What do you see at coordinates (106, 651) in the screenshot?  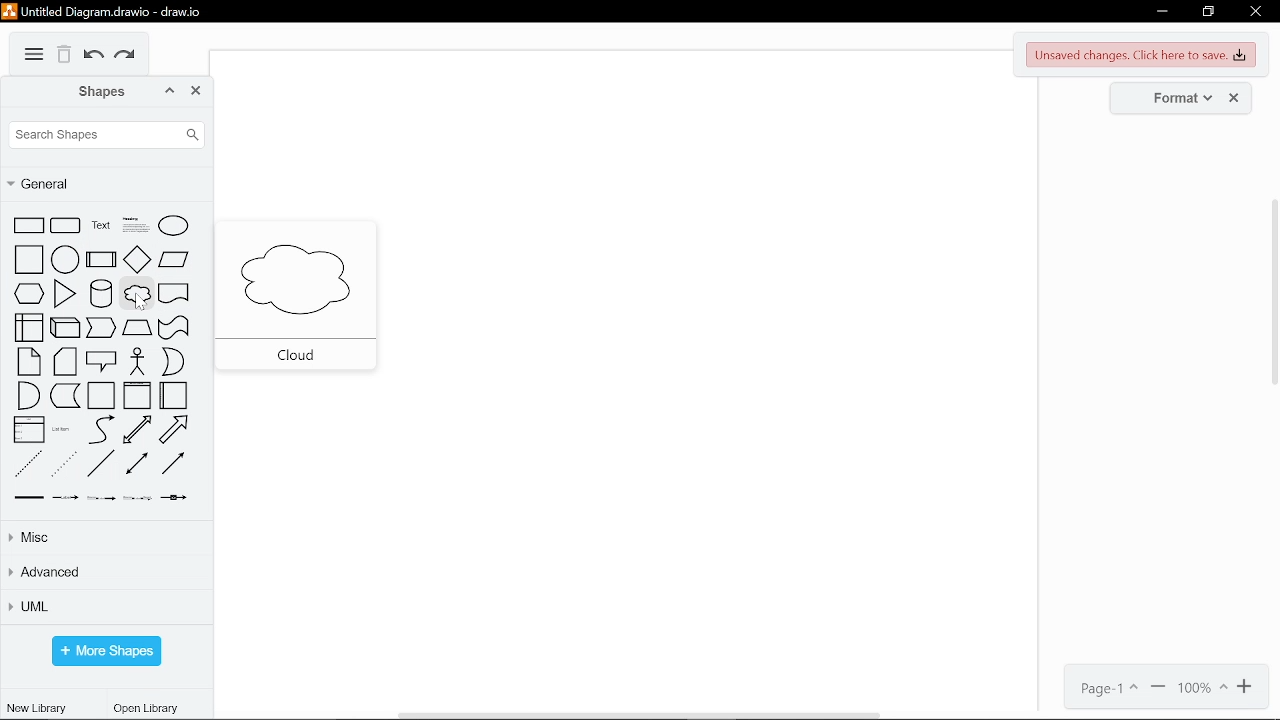 I see `more shapes` at bounding box center [106, 651].